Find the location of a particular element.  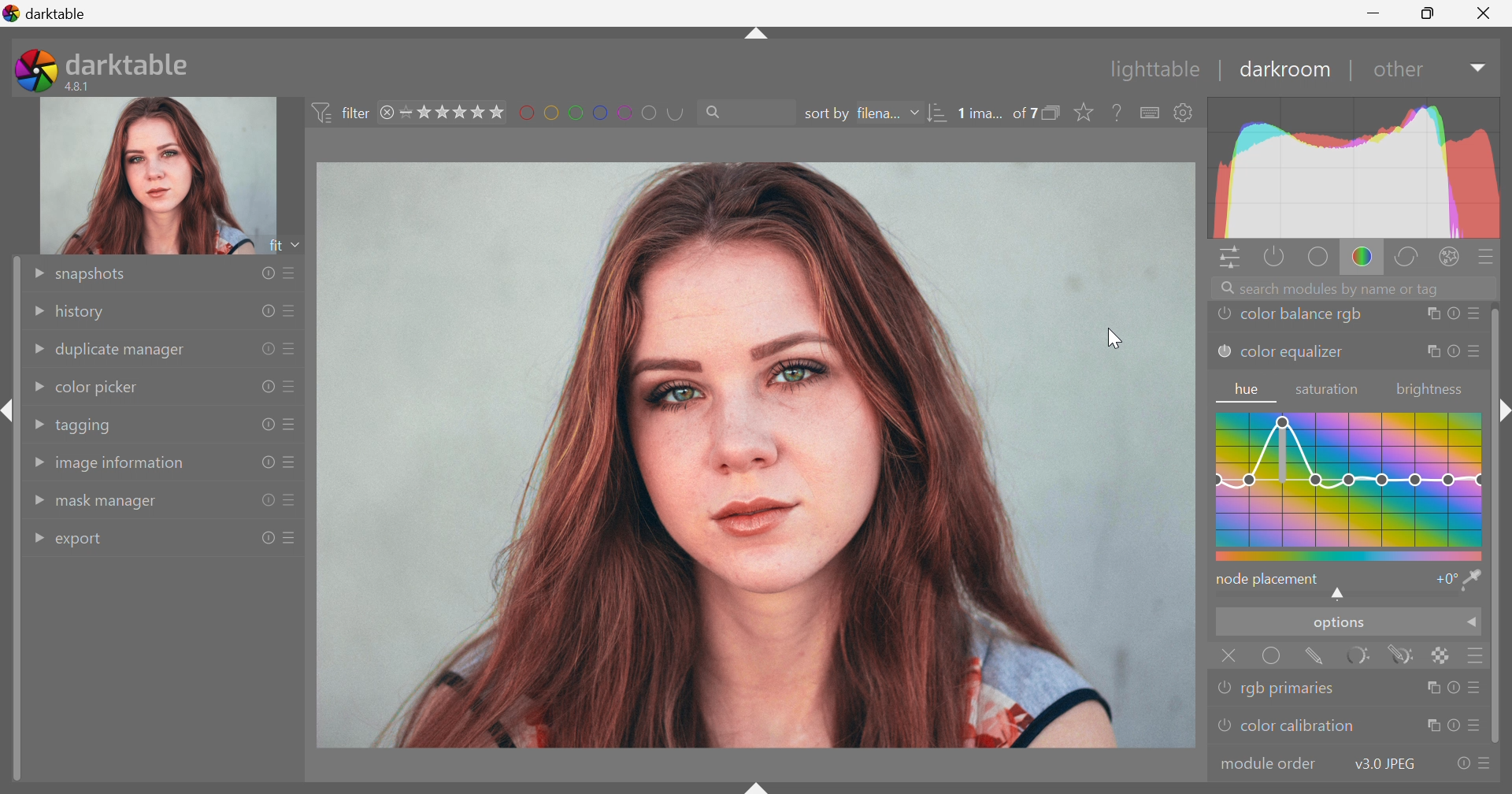

color picker is located at coordinates (98, 386).